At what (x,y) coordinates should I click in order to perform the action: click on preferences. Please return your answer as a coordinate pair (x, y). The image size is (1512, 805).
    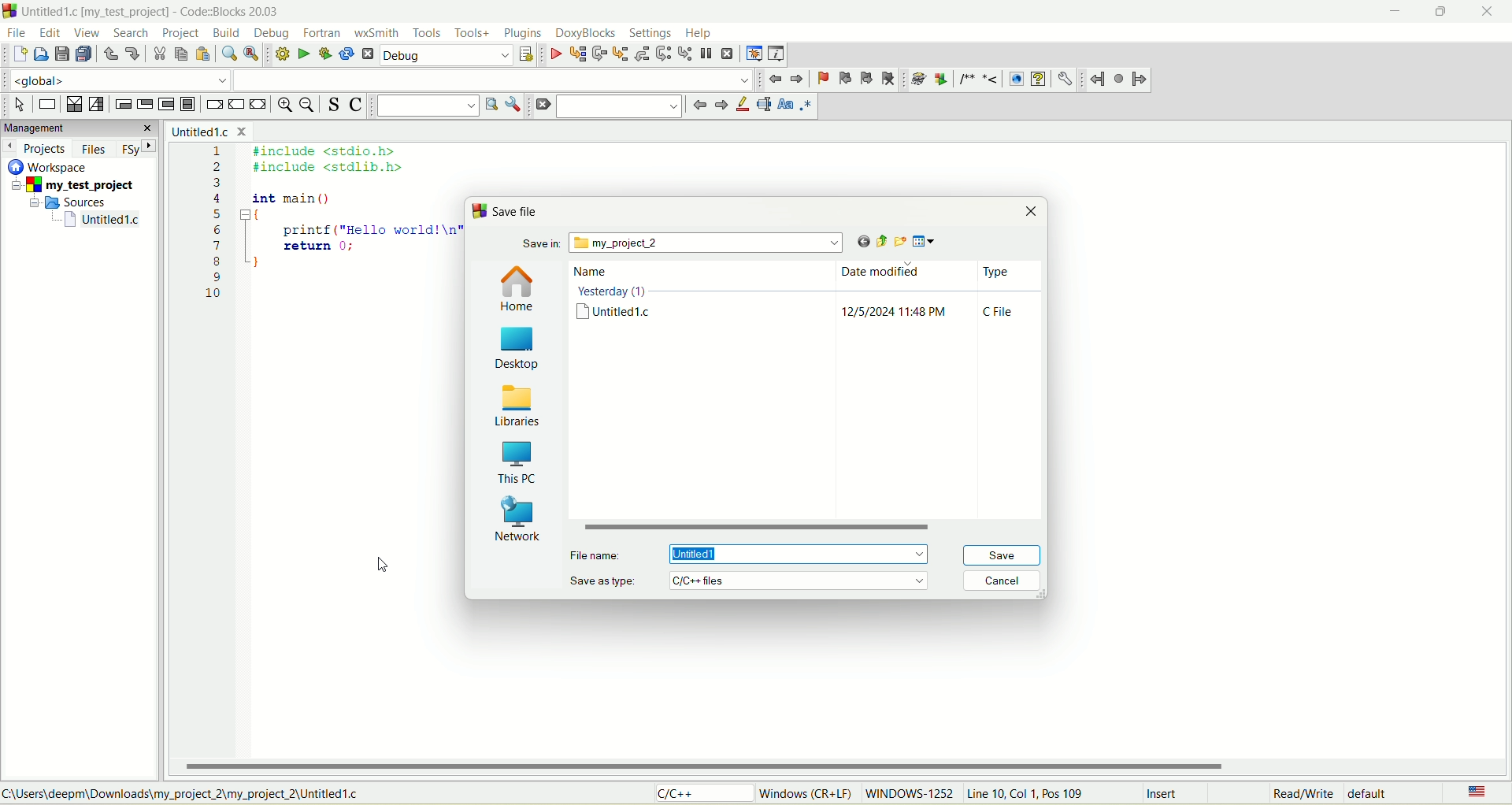
    Looking at the image, I should click on (1064, 79).